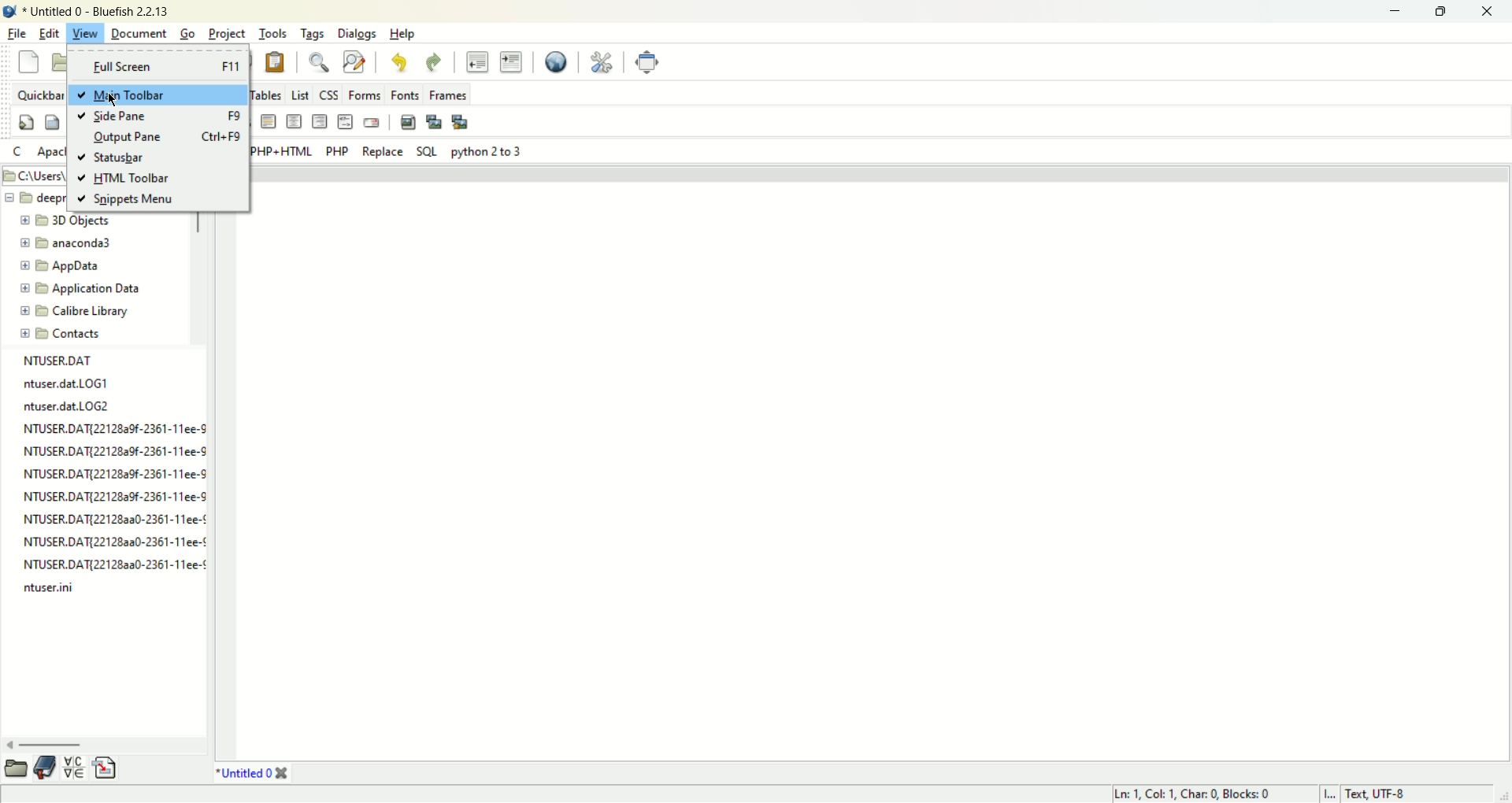 This screenshot has width=1512, height=803. Describe the element at coordinates (106, 769) in the screenshot. I see `snippet` at that location.